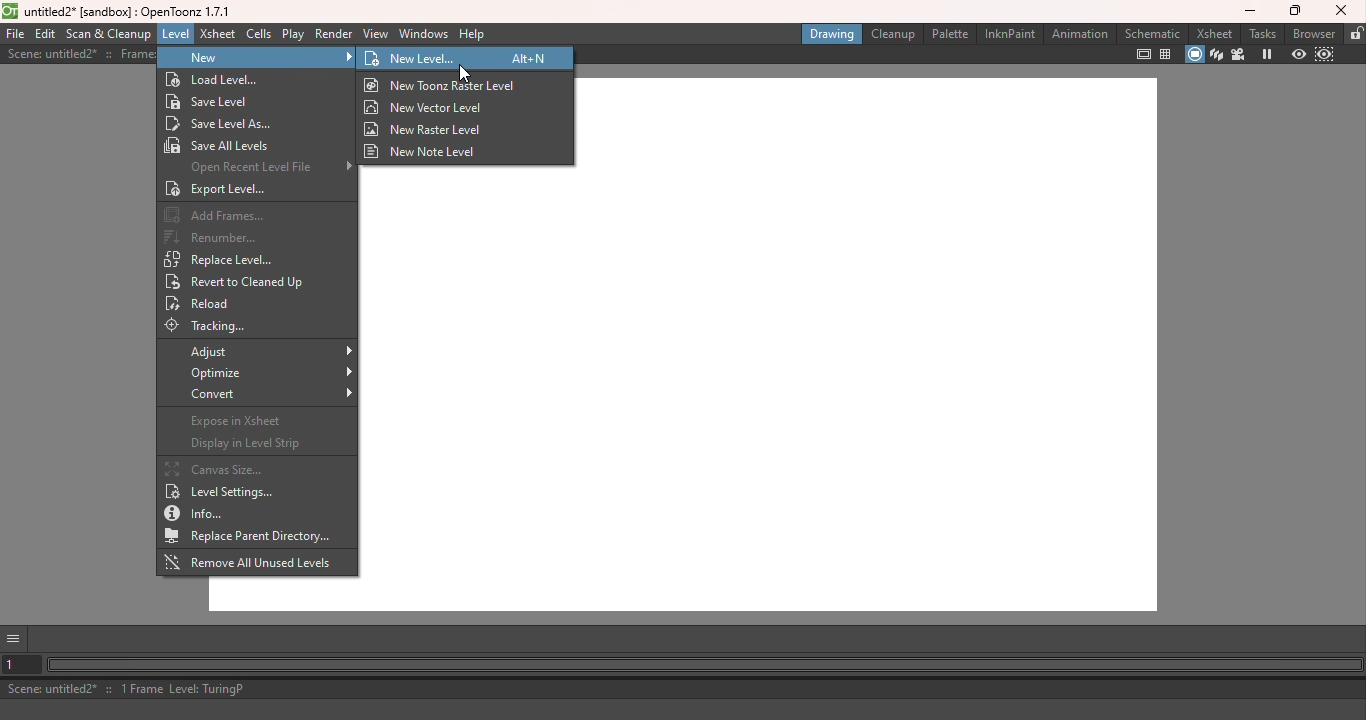 This screenshot has width=1366, height=720. Describe the element at coordinates (264, 166) in the screenshot. I see `Open recent level file` at that location.